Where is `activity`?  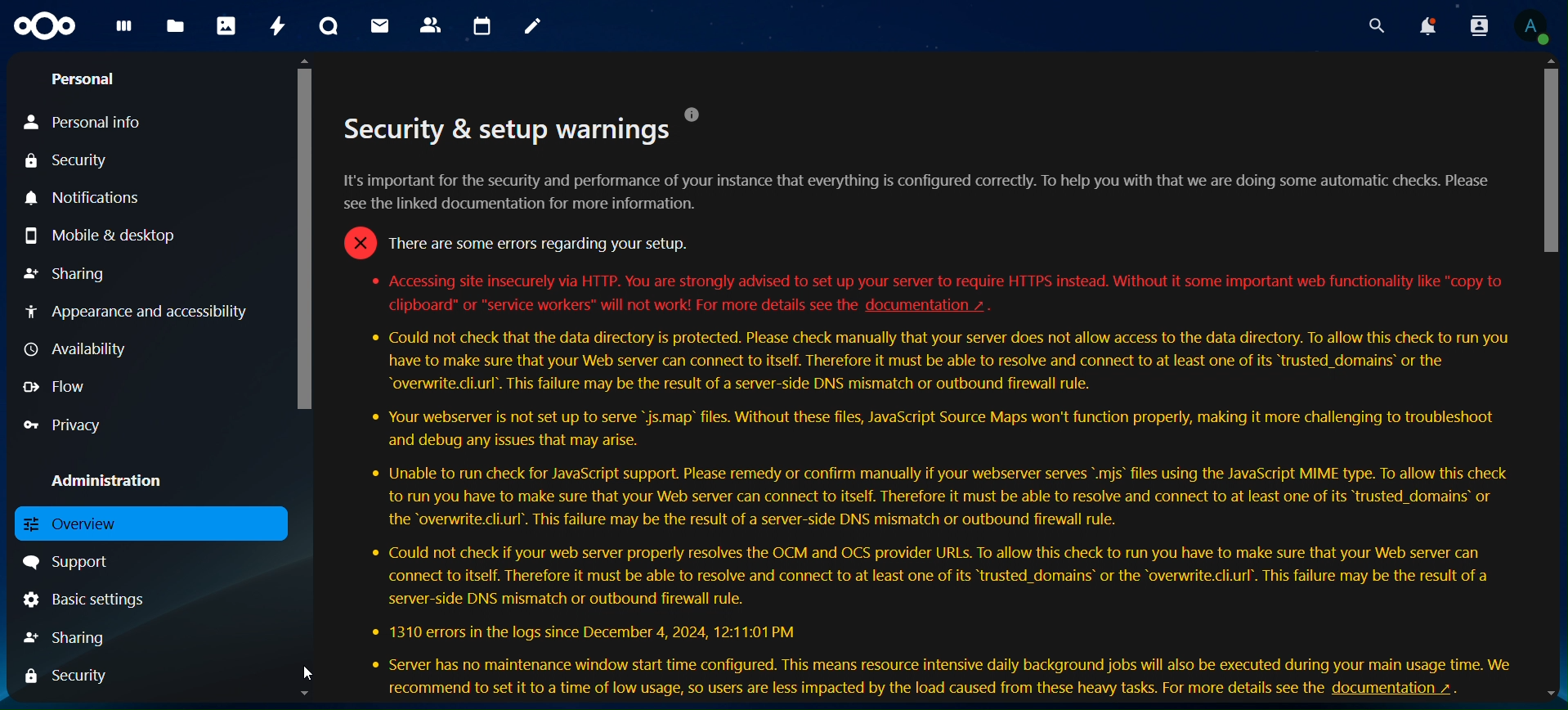
activity is located at coordinates (278, 28).